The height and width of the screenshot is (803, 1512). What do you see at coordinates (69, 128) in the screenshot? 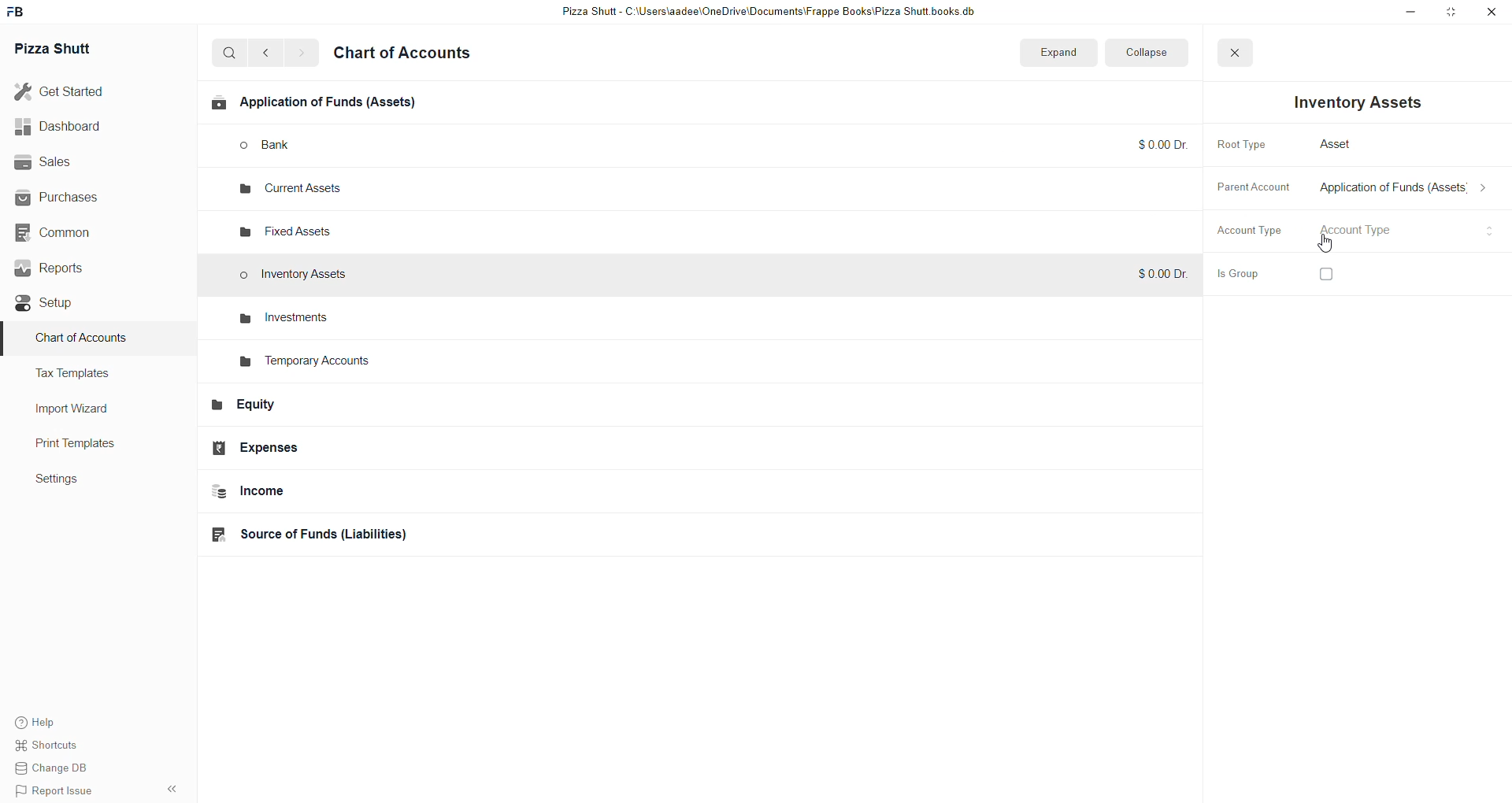
I see `Dashboard ` at bounding box center [69, 128].